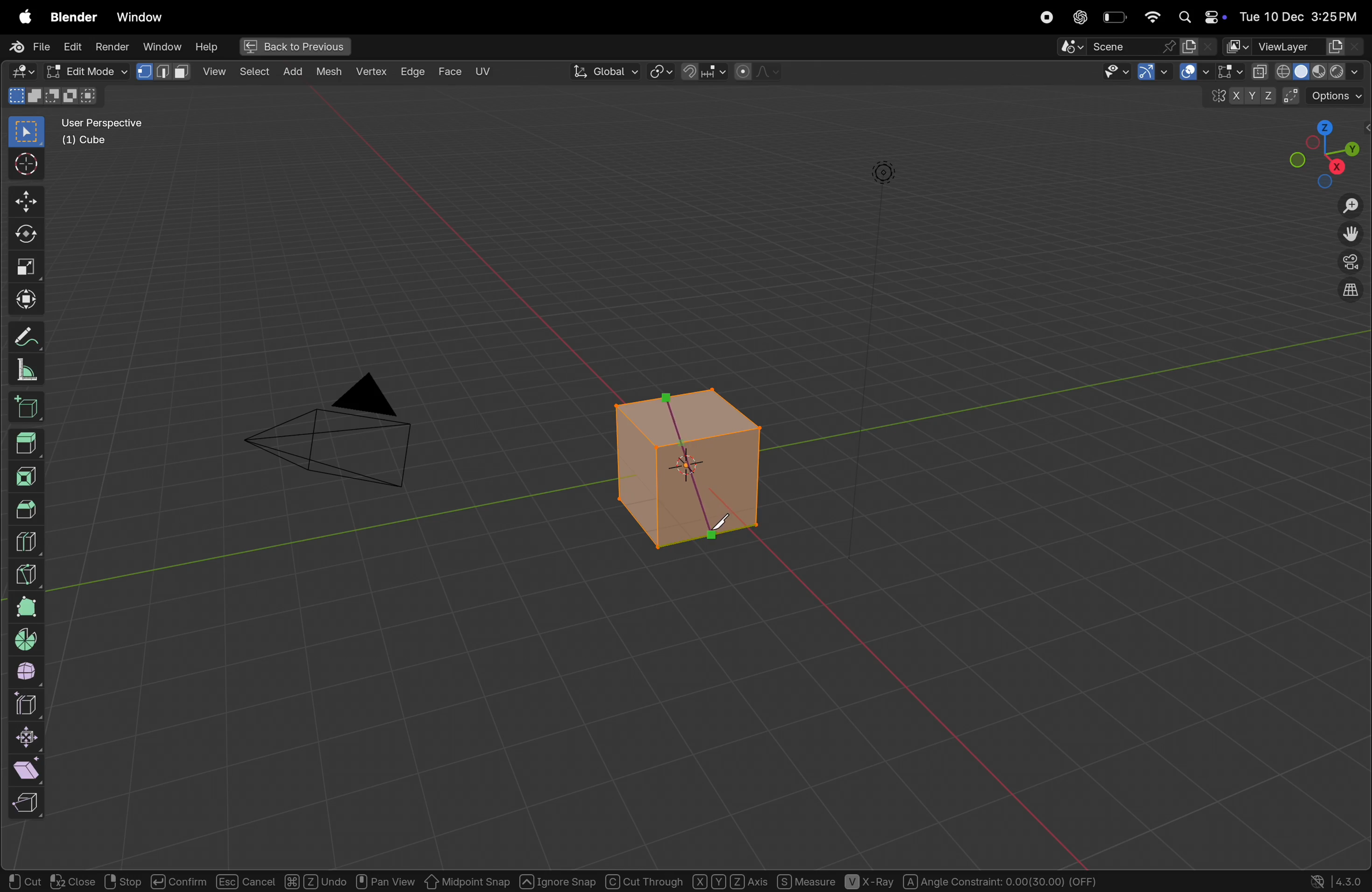  What do you see at coordinates (331, 74) in the screenshot?
I see `Mesh` at bounding box center [331, 74].